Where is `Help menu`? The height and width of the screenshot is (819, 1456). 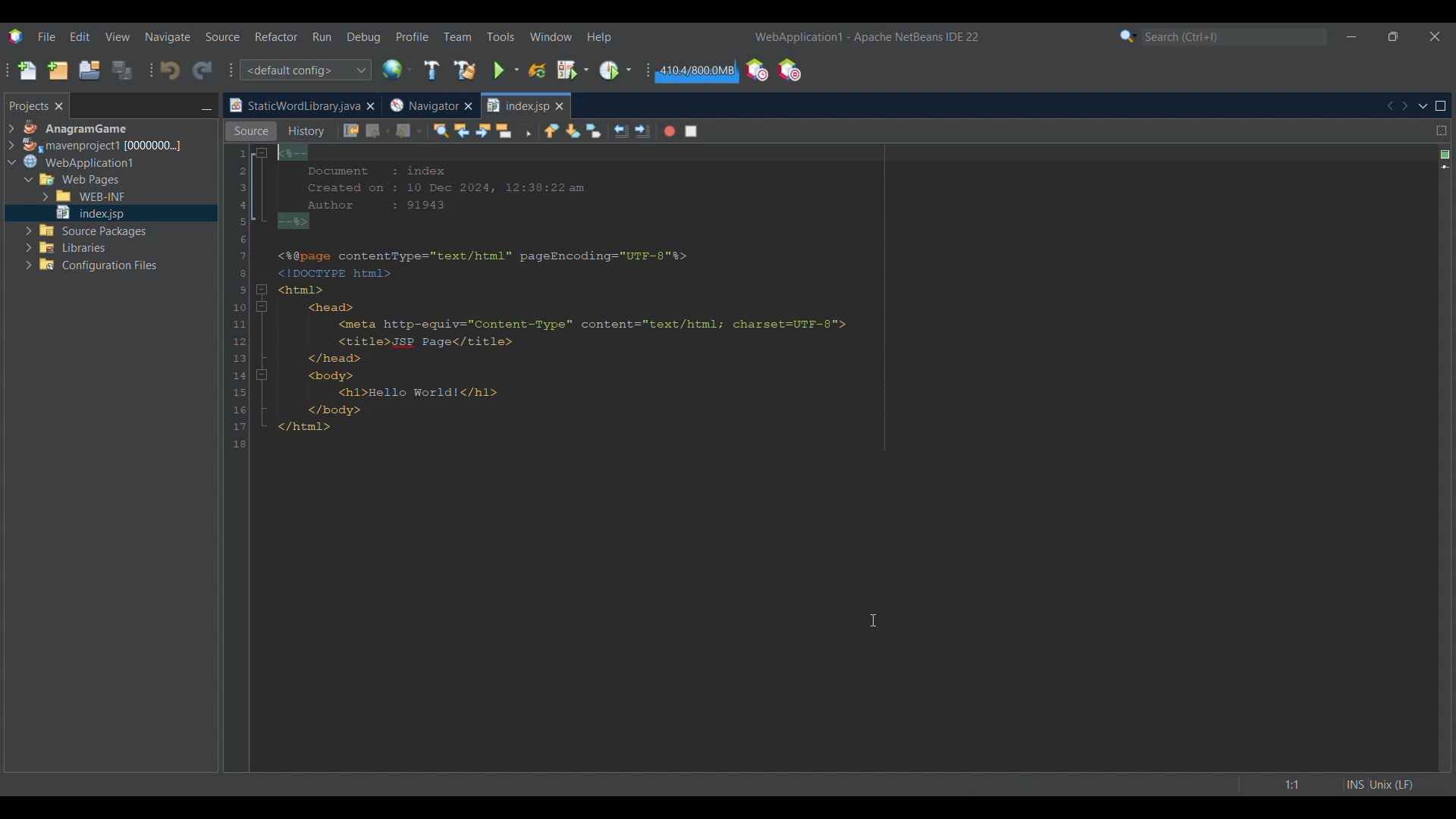
Help menu is located at coordinates (599, 37).